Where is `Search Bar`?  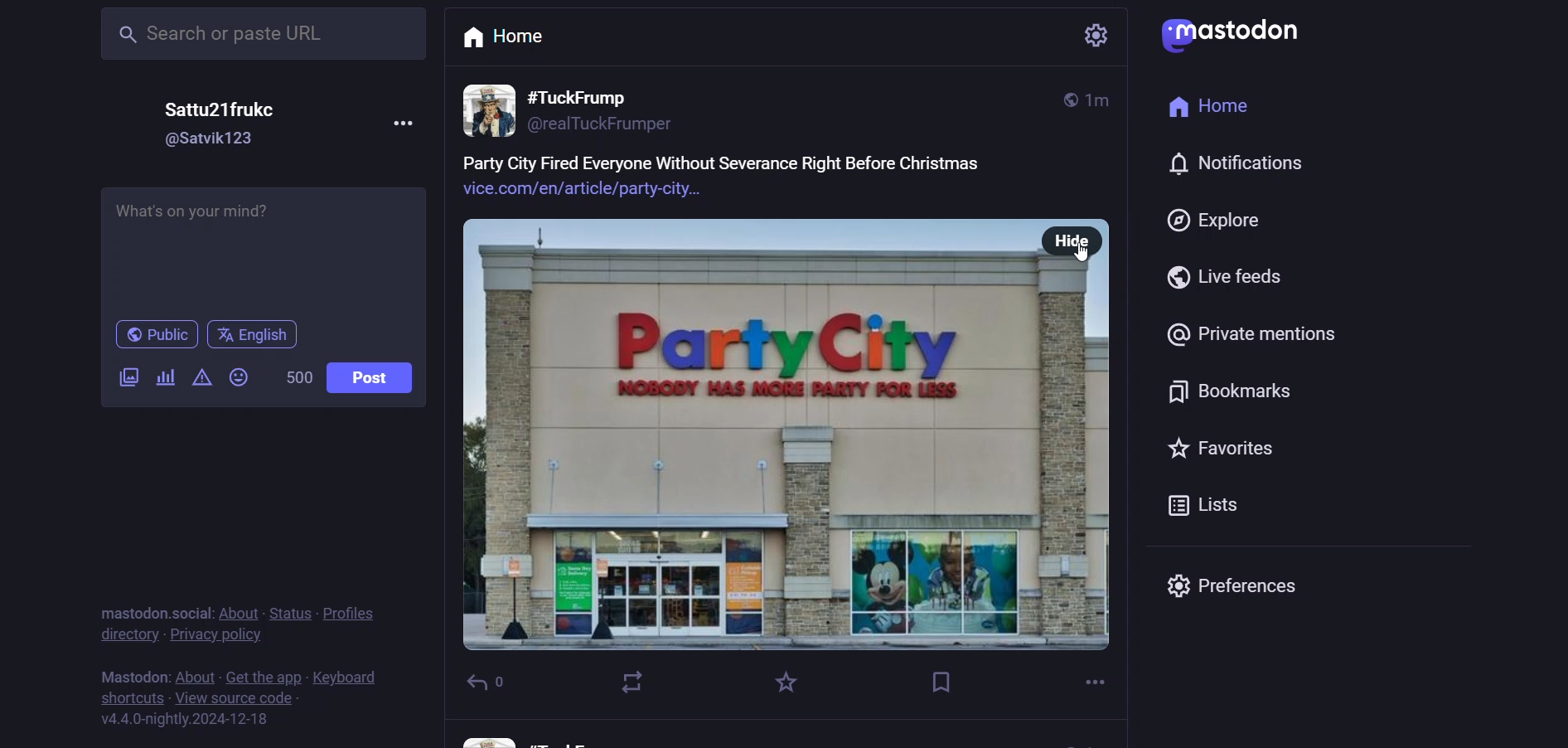
Search Bar is located at coordinates (262, 32).